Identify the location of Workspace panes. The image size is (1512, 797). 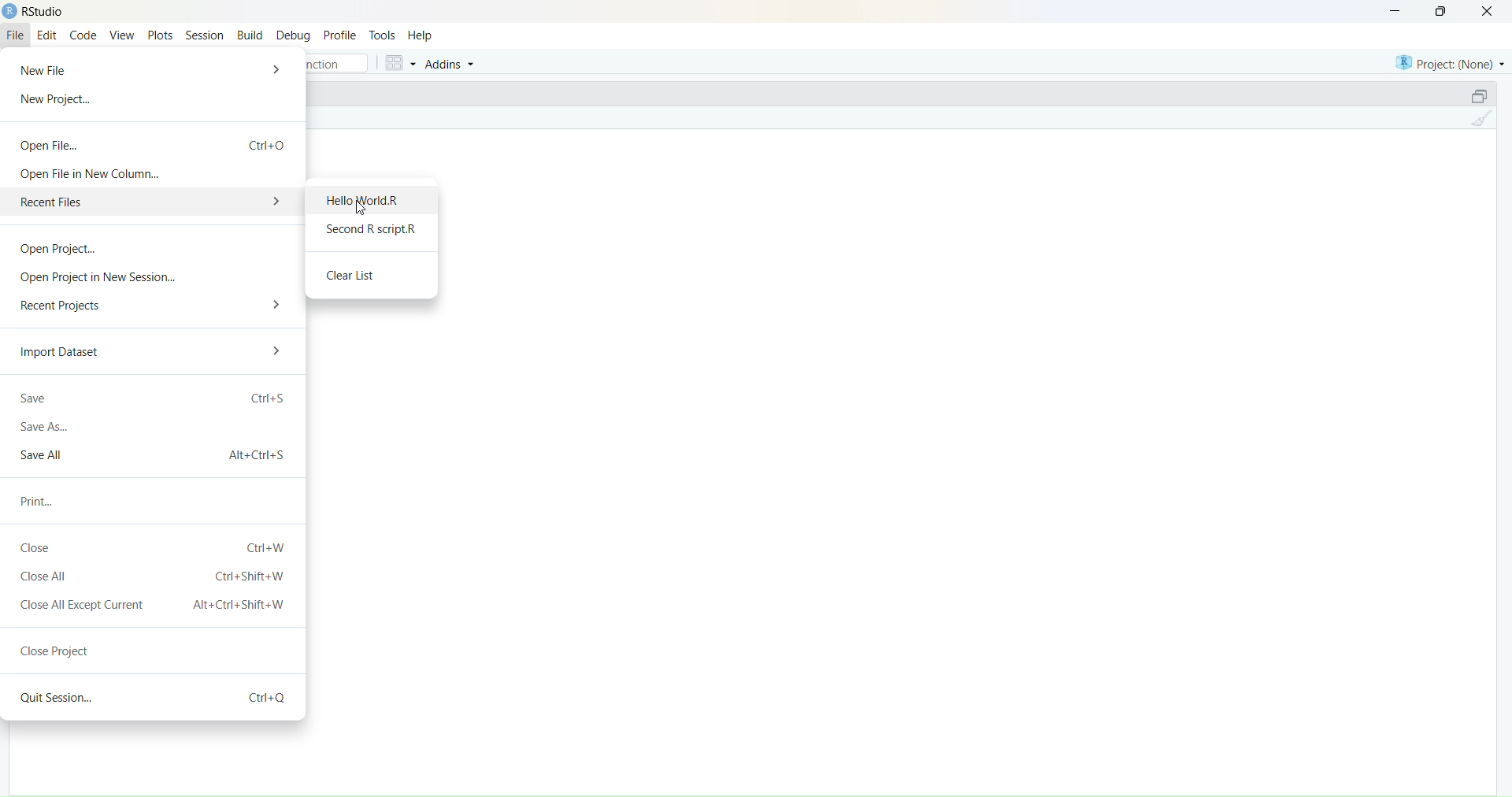
(398, 62).